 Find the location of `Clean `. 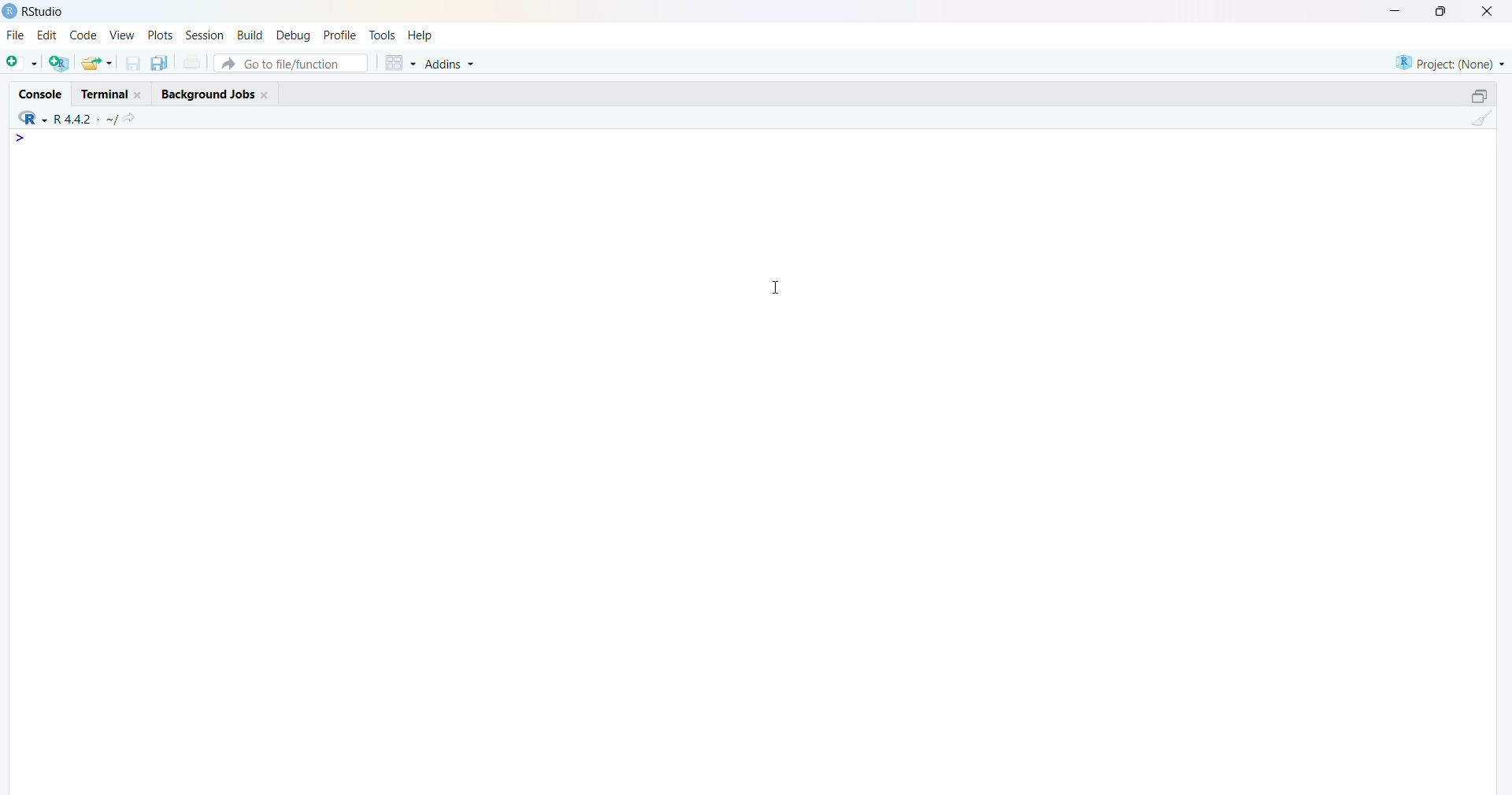

Clean  is located at coordinates (1481, 117).